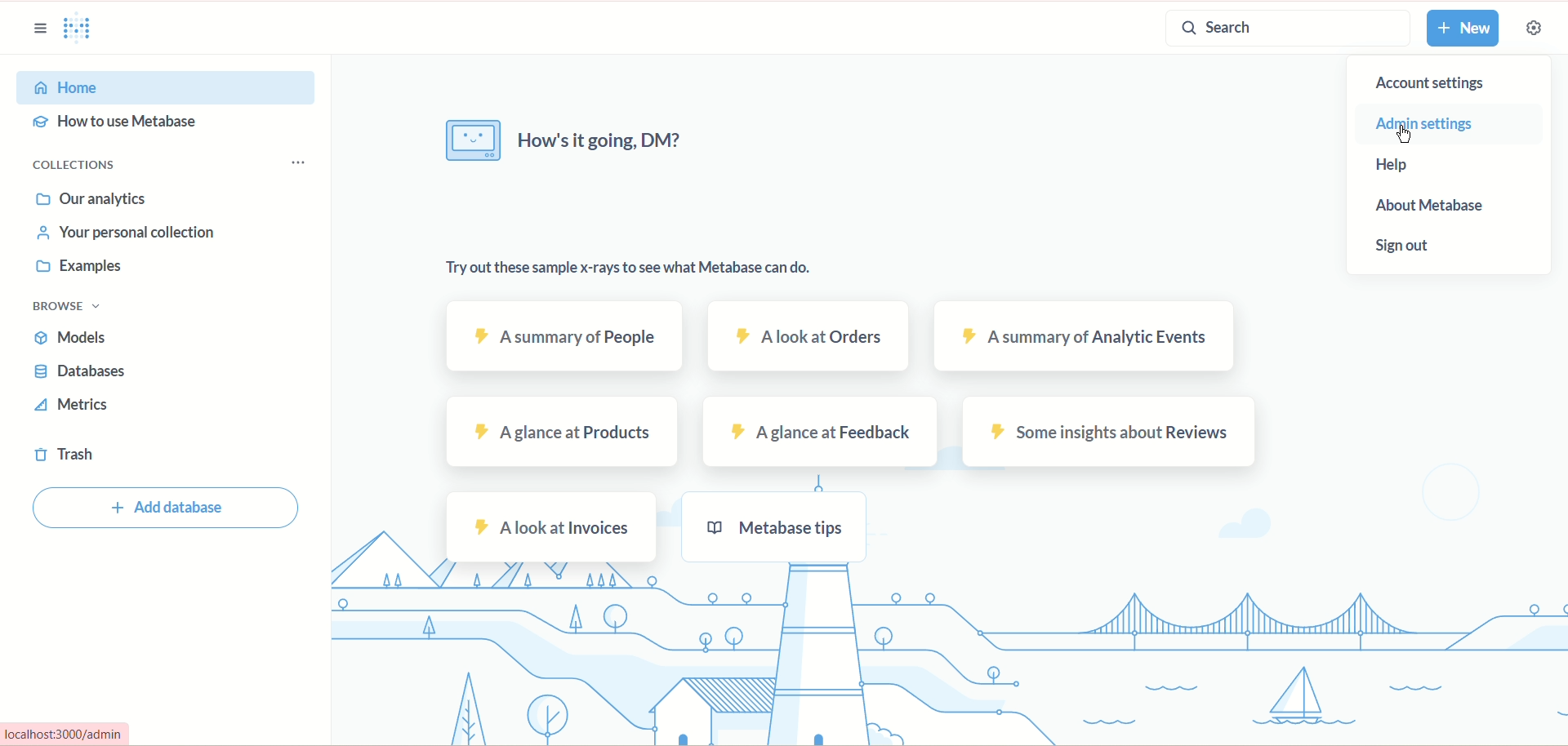 The height and width of the screenshot is (746, 1568). Describe the element at coordinates (81, 29) in the screenshot. I see `logo` at that location.